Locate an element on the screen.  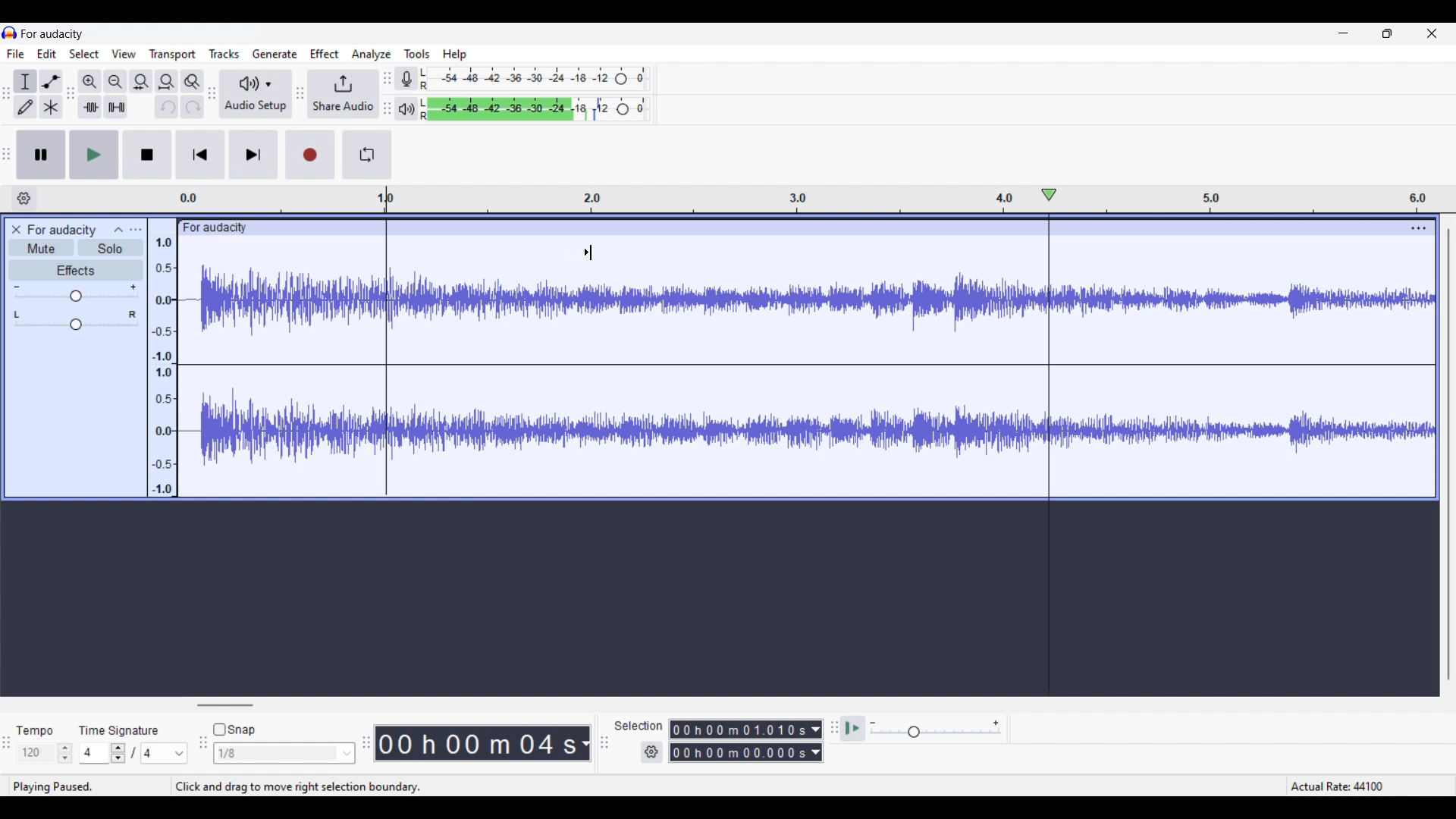
Play at speed once/Play at speed is located at coordinates (853, 729).